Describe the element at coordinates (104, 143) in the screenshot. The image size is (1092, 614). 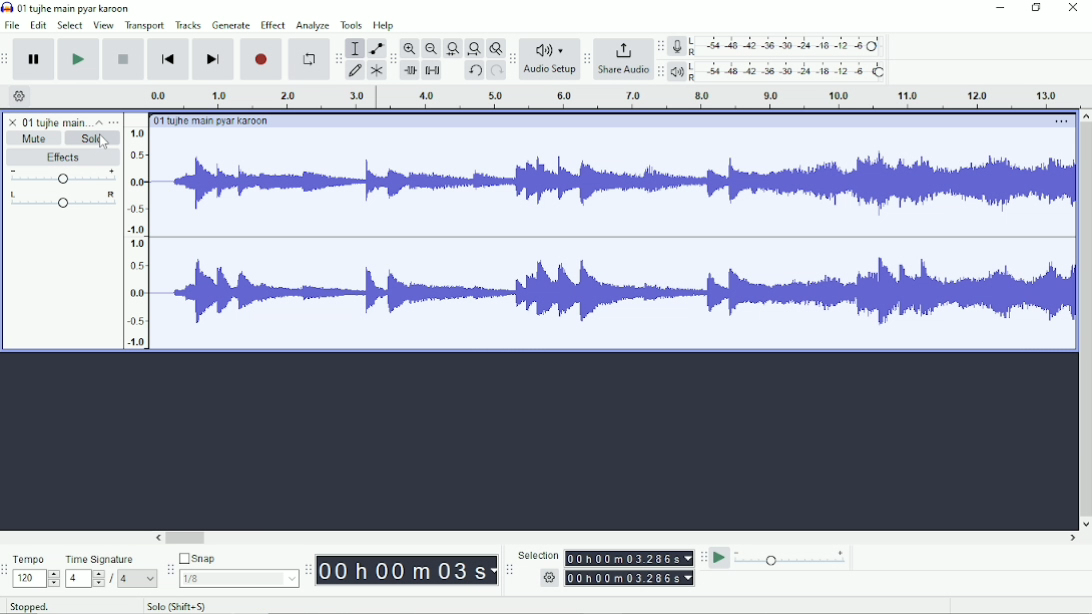
I see `cursor` at that location.